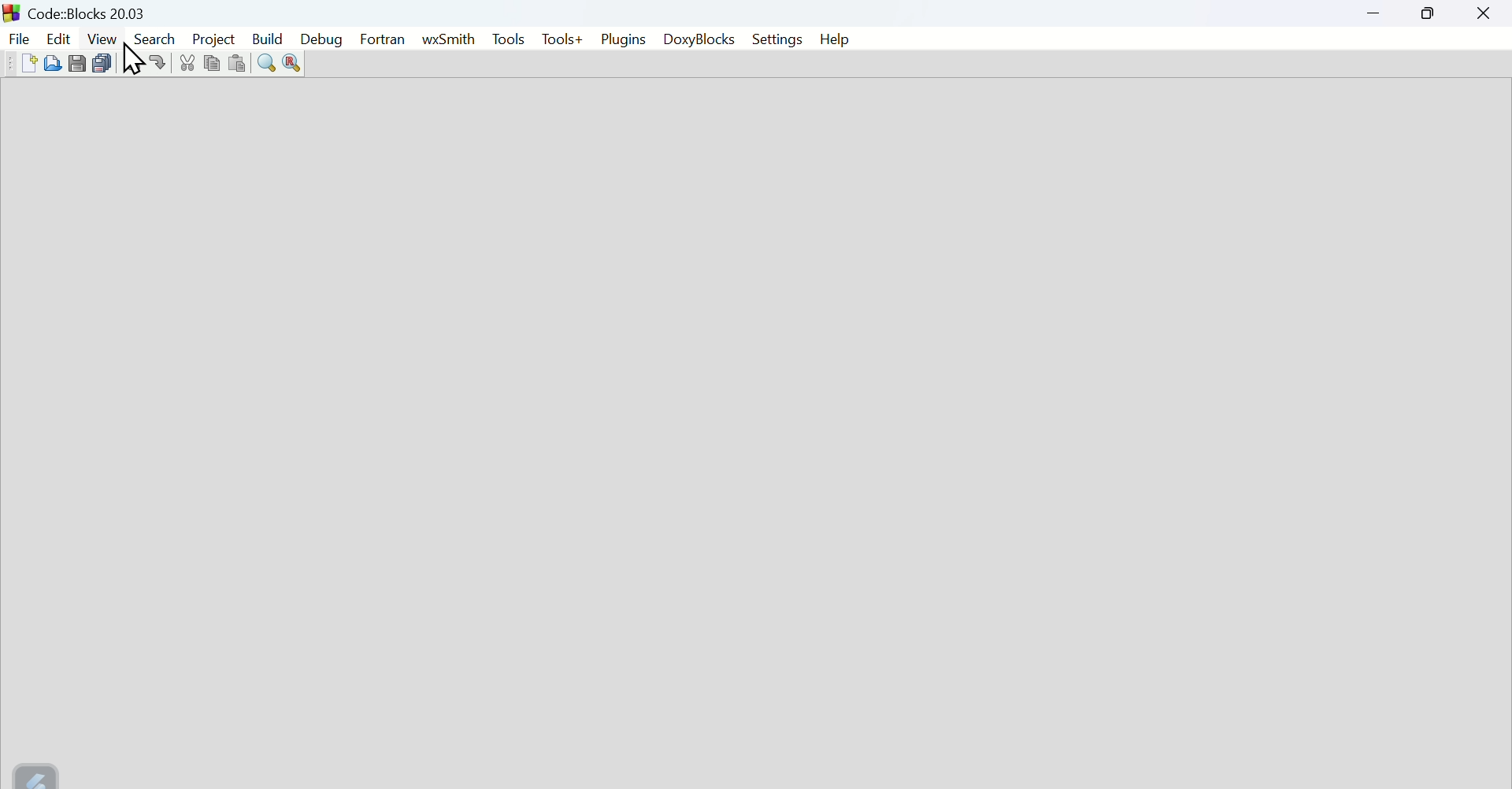 Image resolution: width=1512 pixels, height=789 pixels. Describe the element at coordinates (777, 39) in the screenshot. I see `Settings` at that location.